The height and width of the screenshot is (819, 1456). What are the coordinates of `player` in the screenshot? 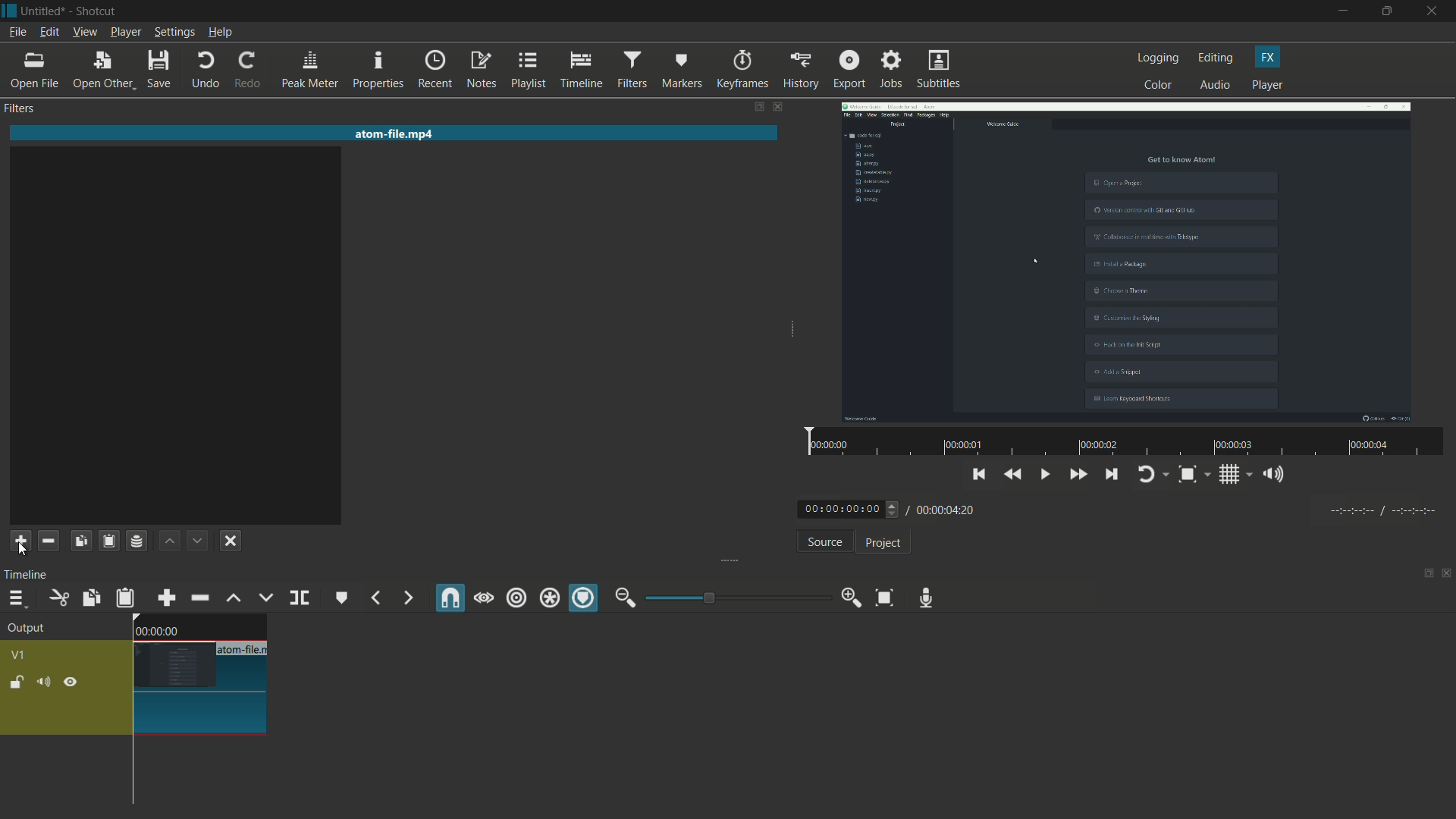 It's located at (1267, 86).